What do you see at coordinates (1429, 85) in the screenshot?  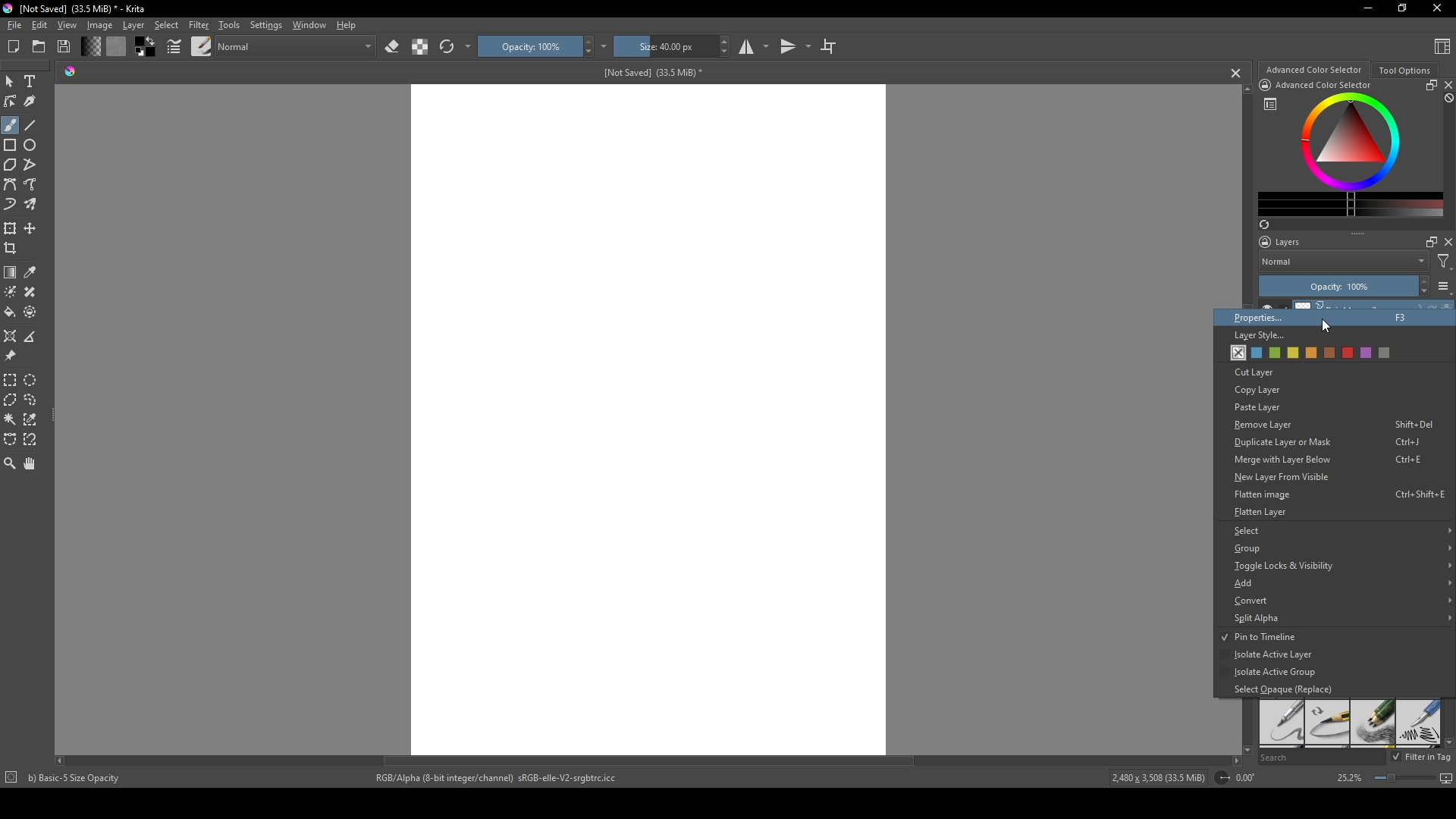 I see `resize` at bounding box center [1429, 85].